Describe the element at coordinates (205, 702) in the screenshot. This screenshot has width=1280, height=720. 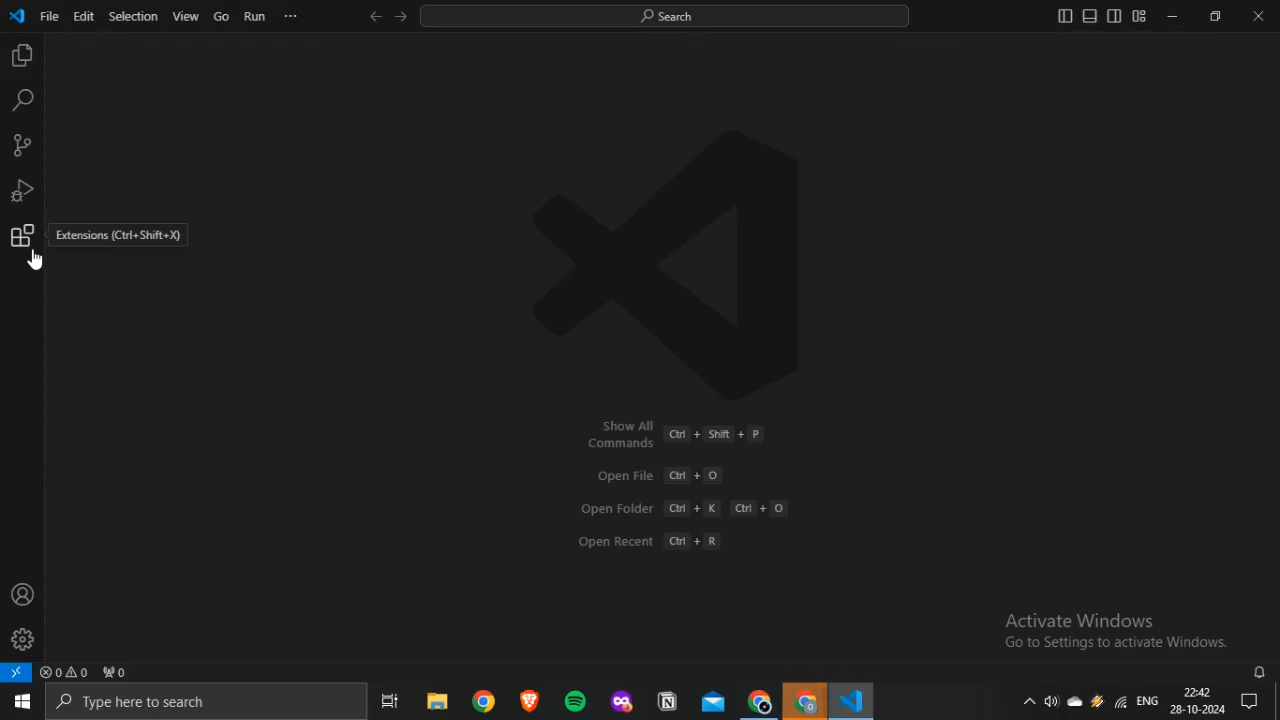
I see `Type here to search` at that location.